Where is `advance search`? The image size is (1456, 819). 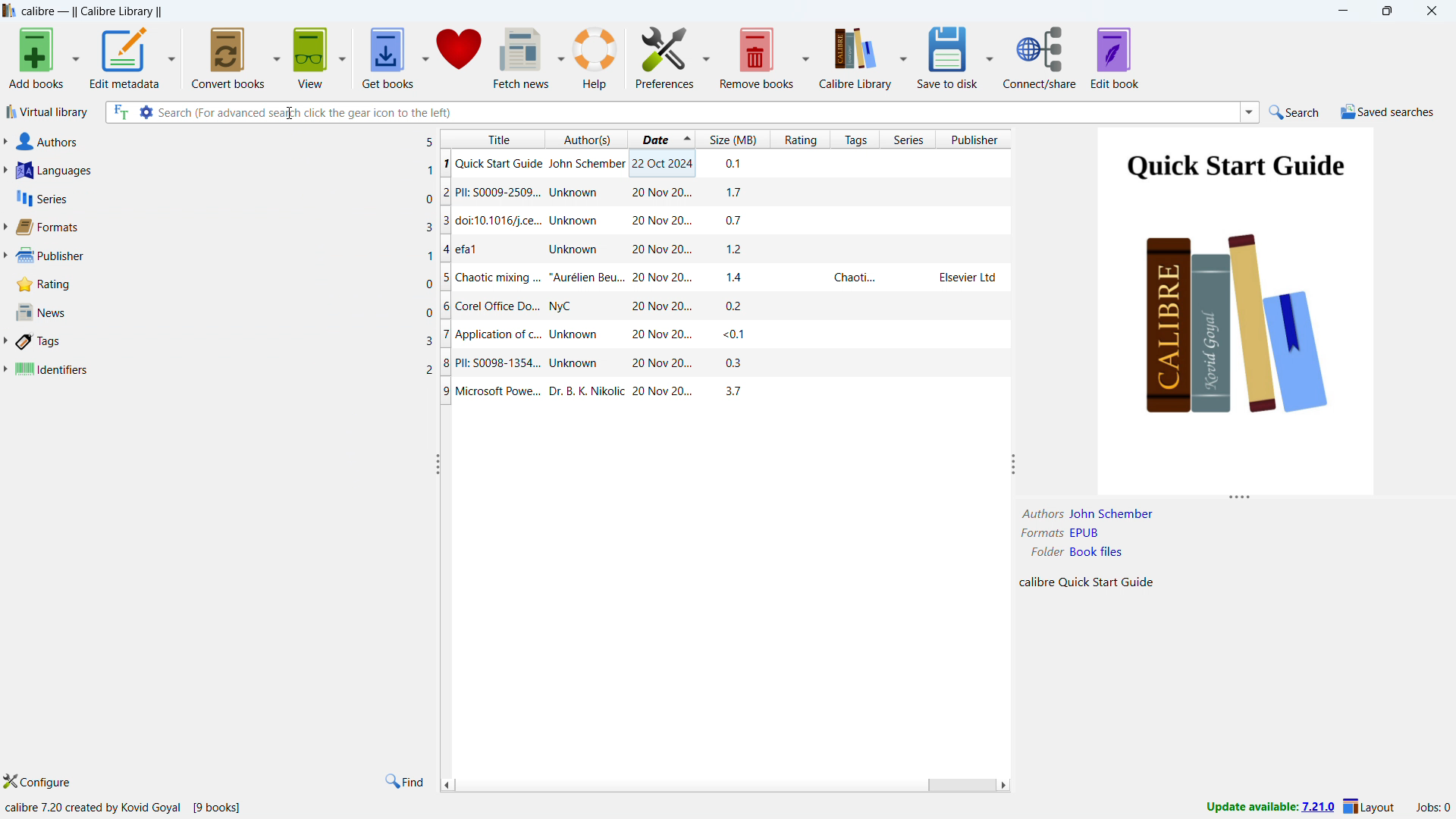
advance search is located at coordinates (146, 112).